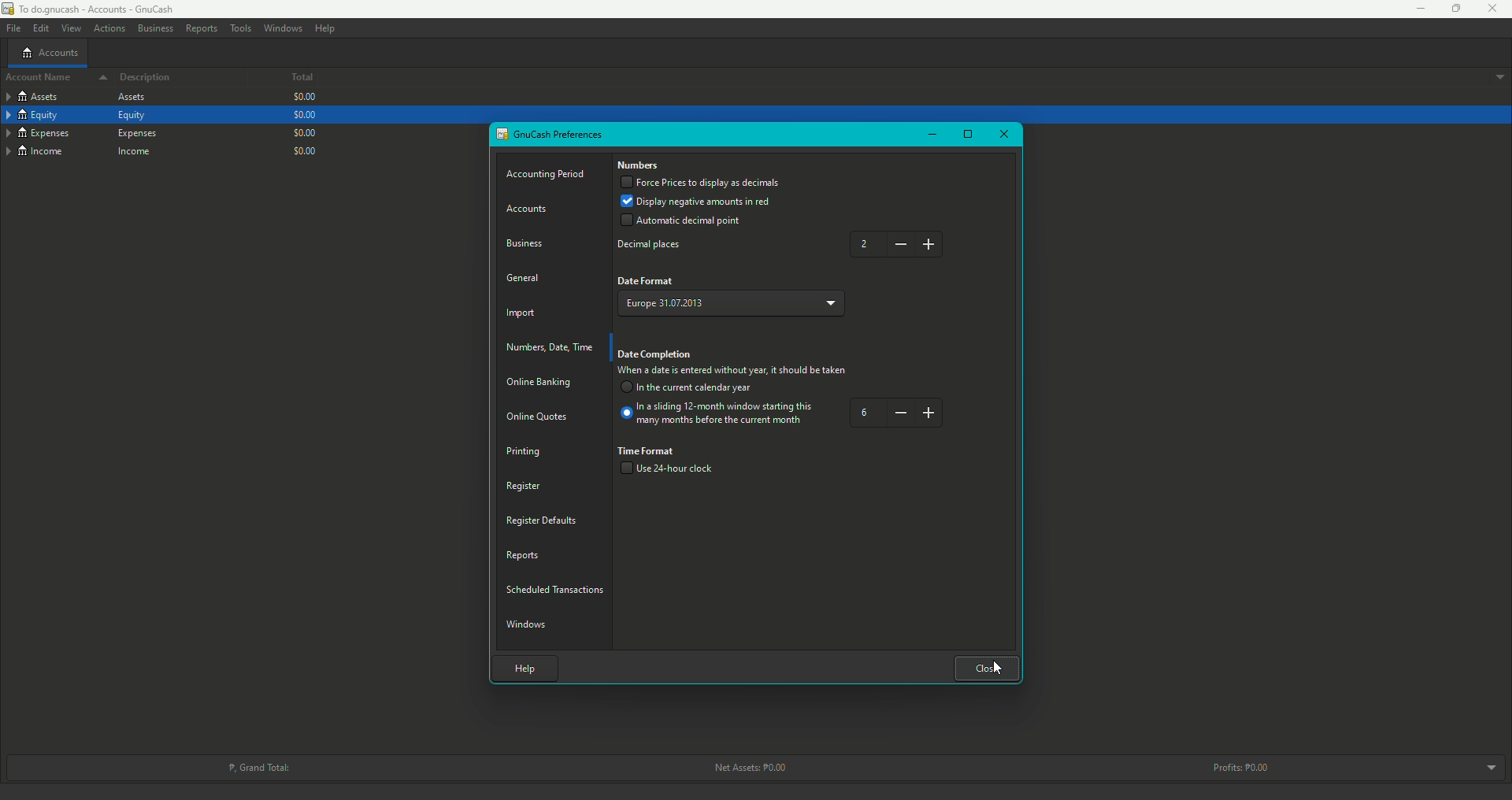 This screenshot has height=800, width=1512. What do you see at coordinates (551, 135) in the screenshot?
I see `Preferences` at bounding box center [551, 135].